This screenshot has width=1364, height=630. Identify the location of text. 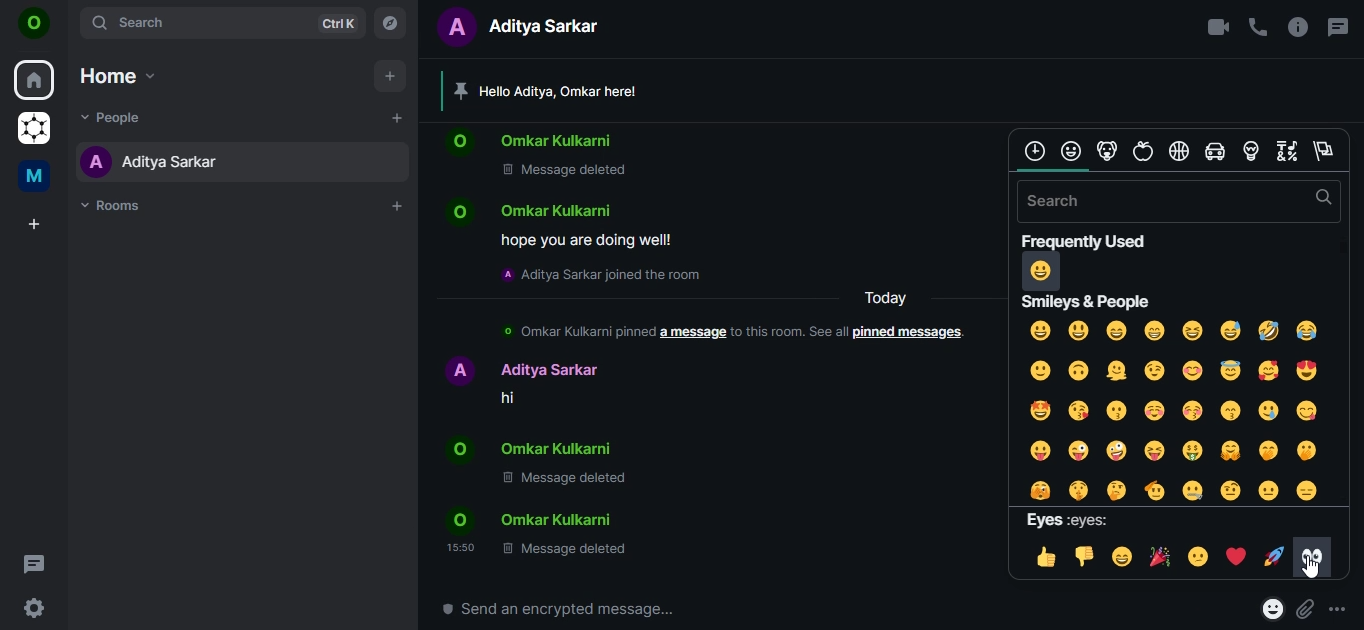
(706, 322).